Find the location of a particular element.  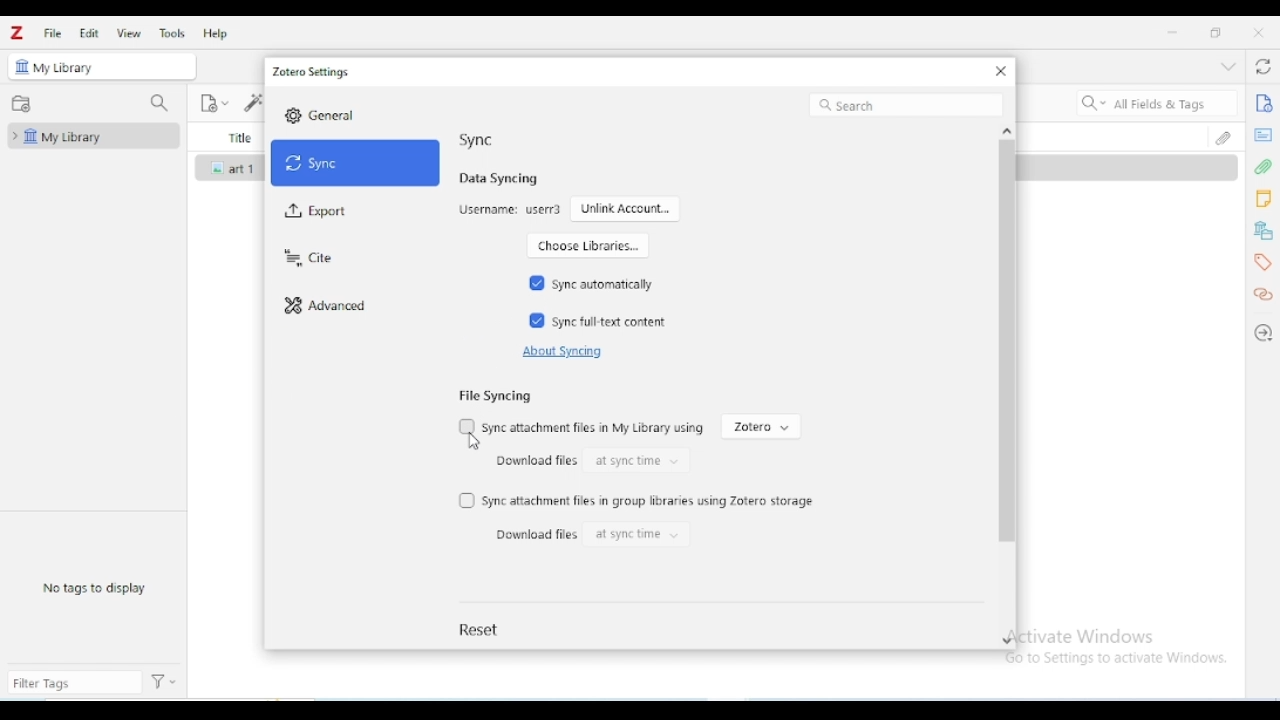

search is located at coordinates (906, 105).